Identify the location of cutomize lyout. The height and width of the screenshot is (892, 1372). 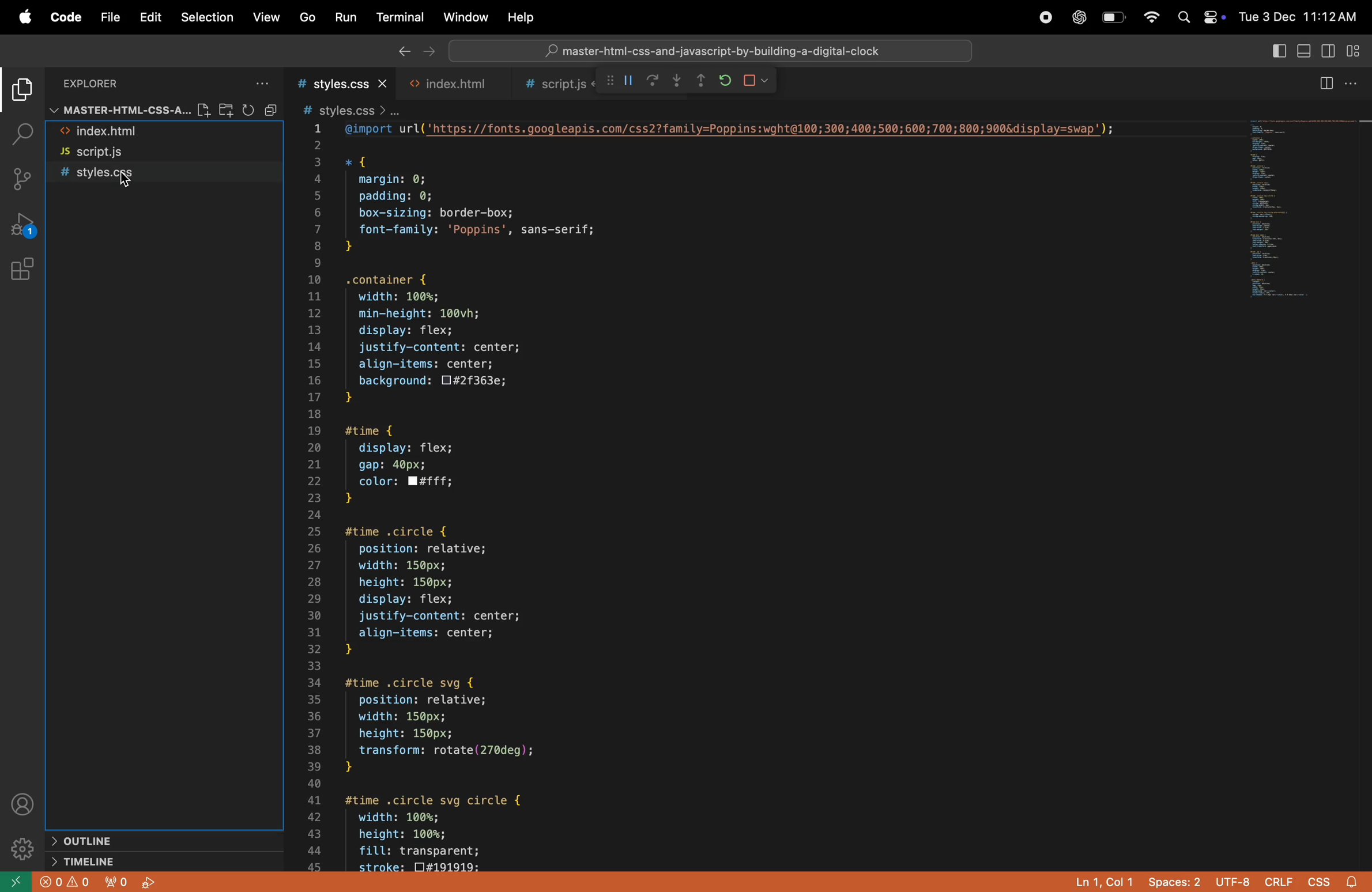
(1356, 50).